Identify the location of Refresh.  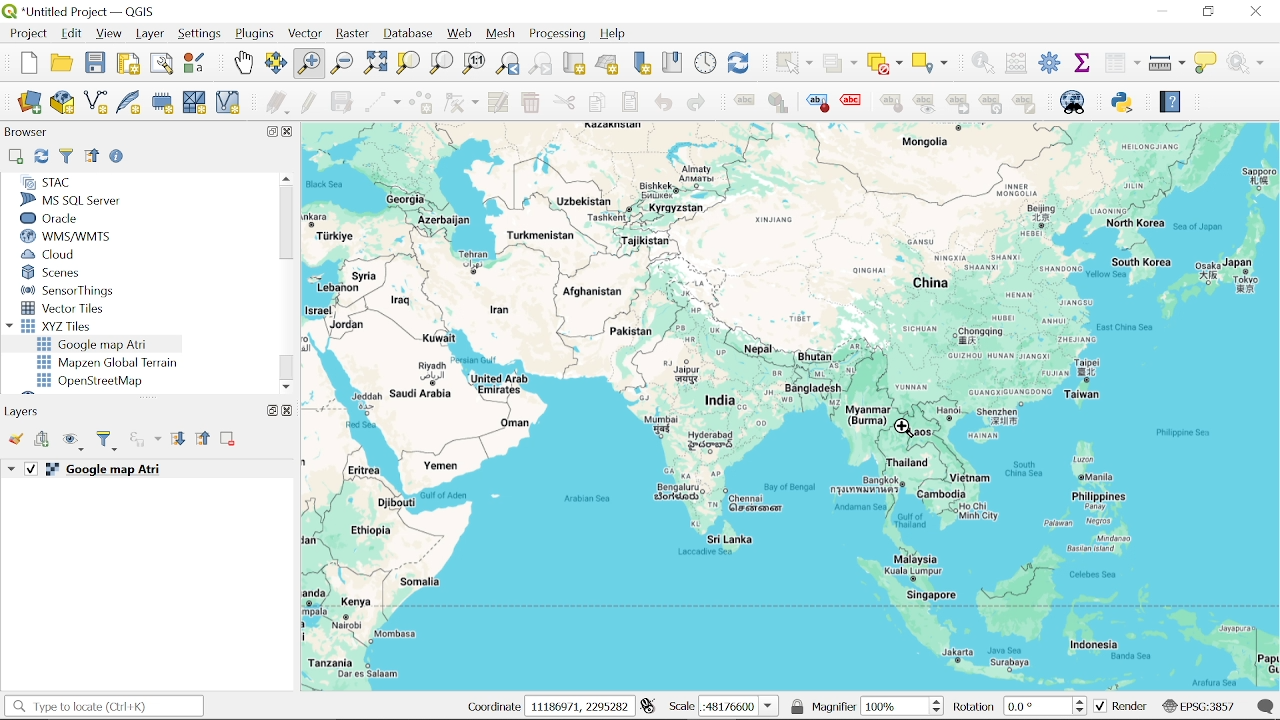
(740, 63).